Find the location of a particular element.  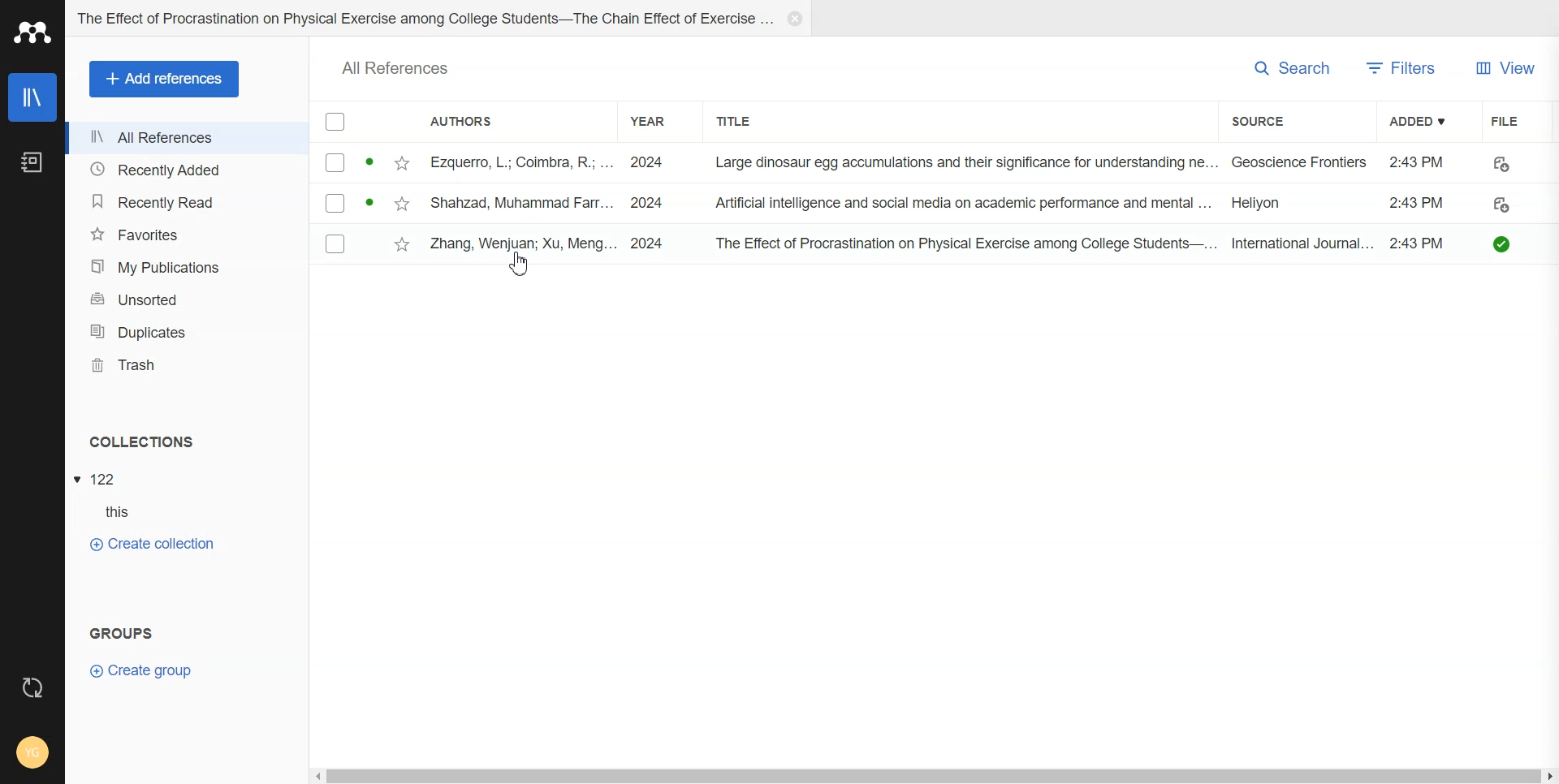

Add references is located at coordinates (164, 80).